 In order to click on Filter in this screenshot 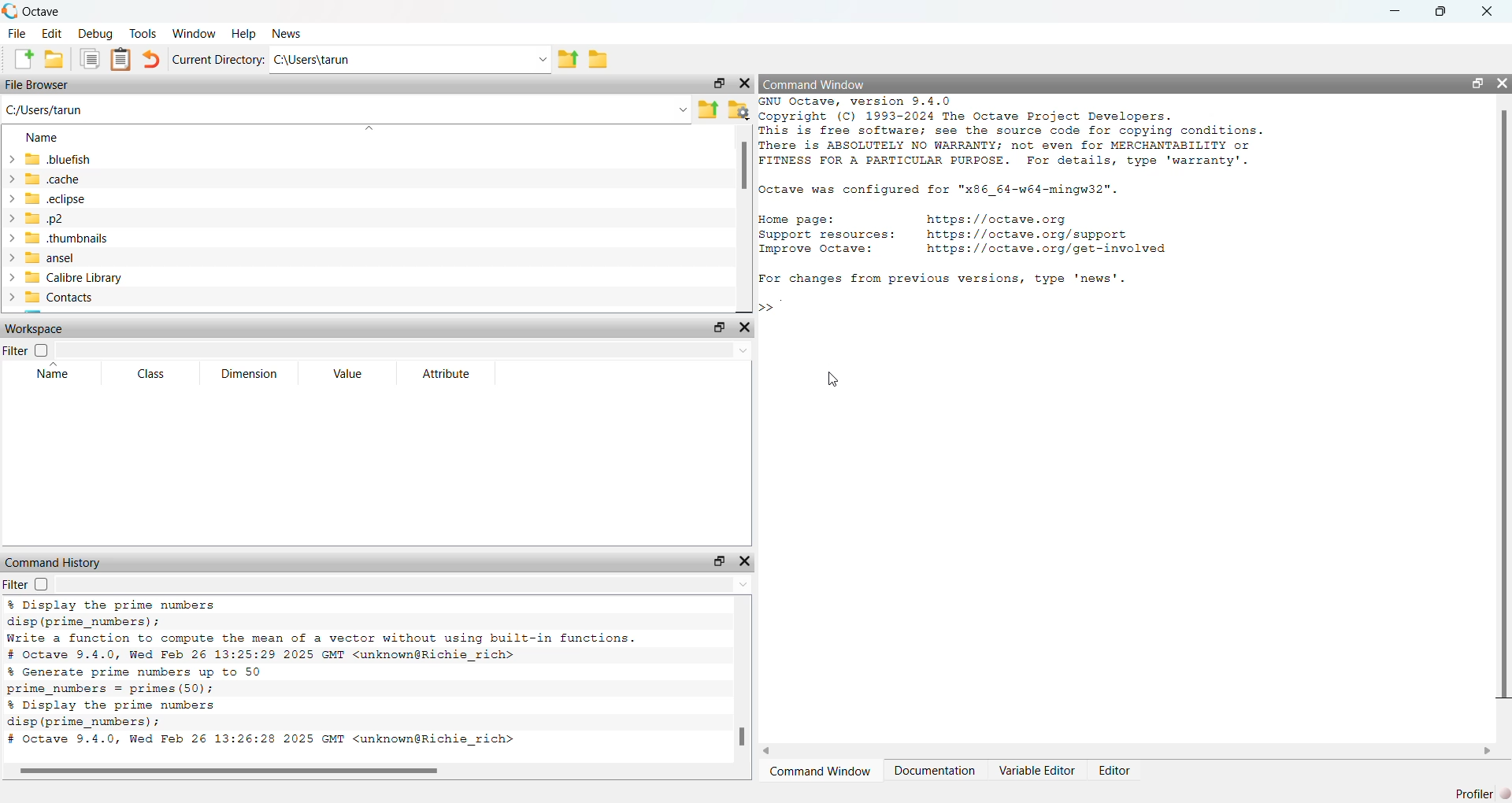, I will do `click(27, 584)`.